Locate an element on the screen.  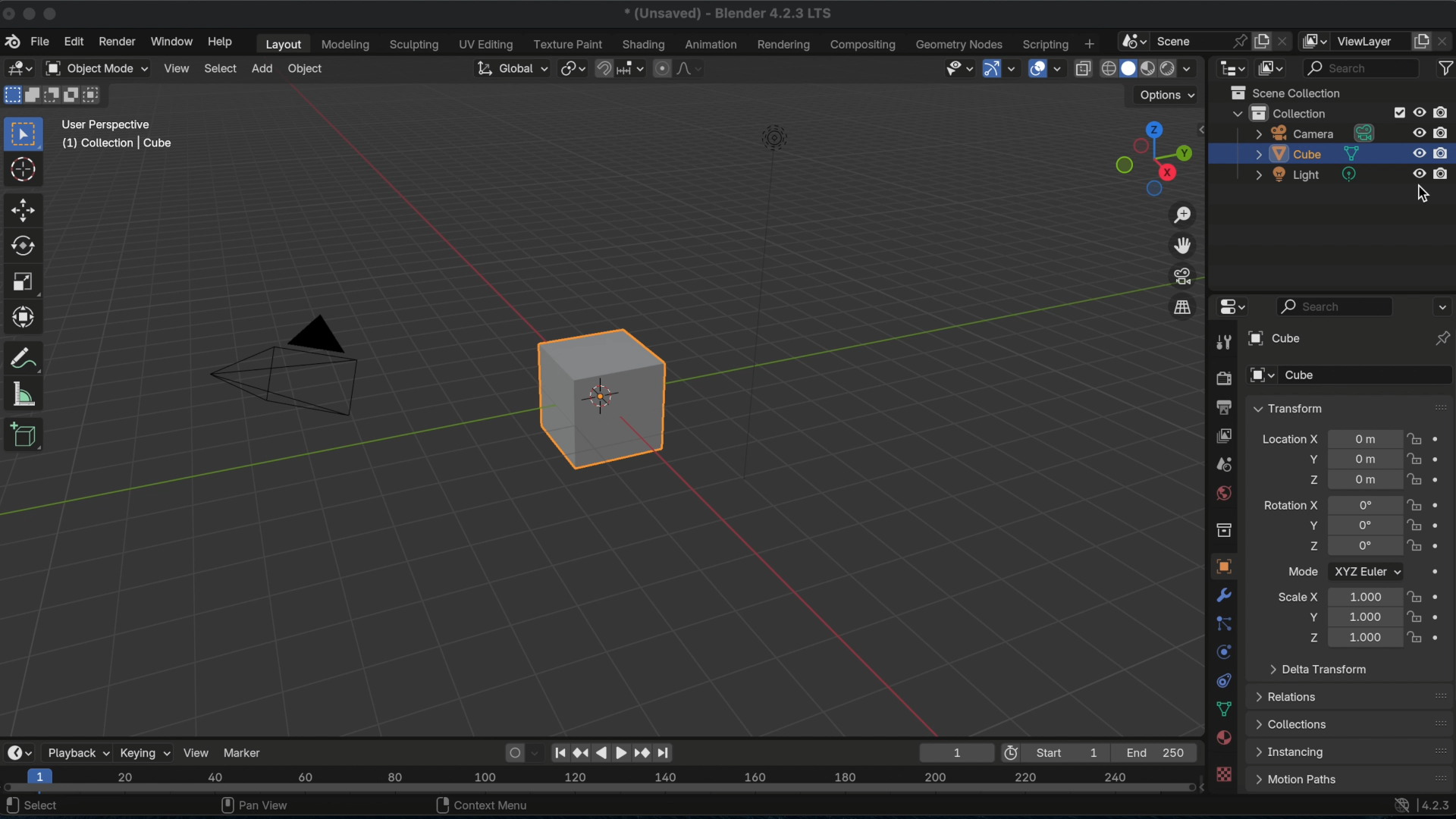
UV editing is located at coordinates (488, 43).